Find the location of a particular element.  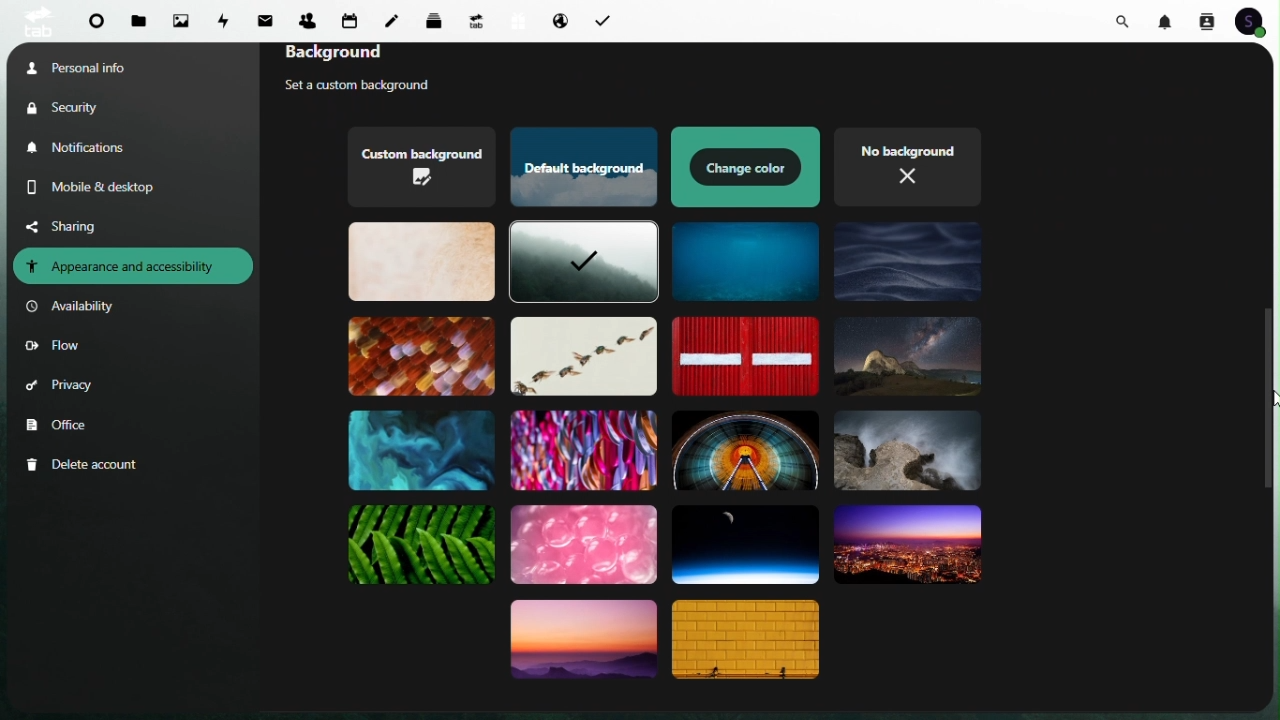

Security is located at coordinates (81, 107).